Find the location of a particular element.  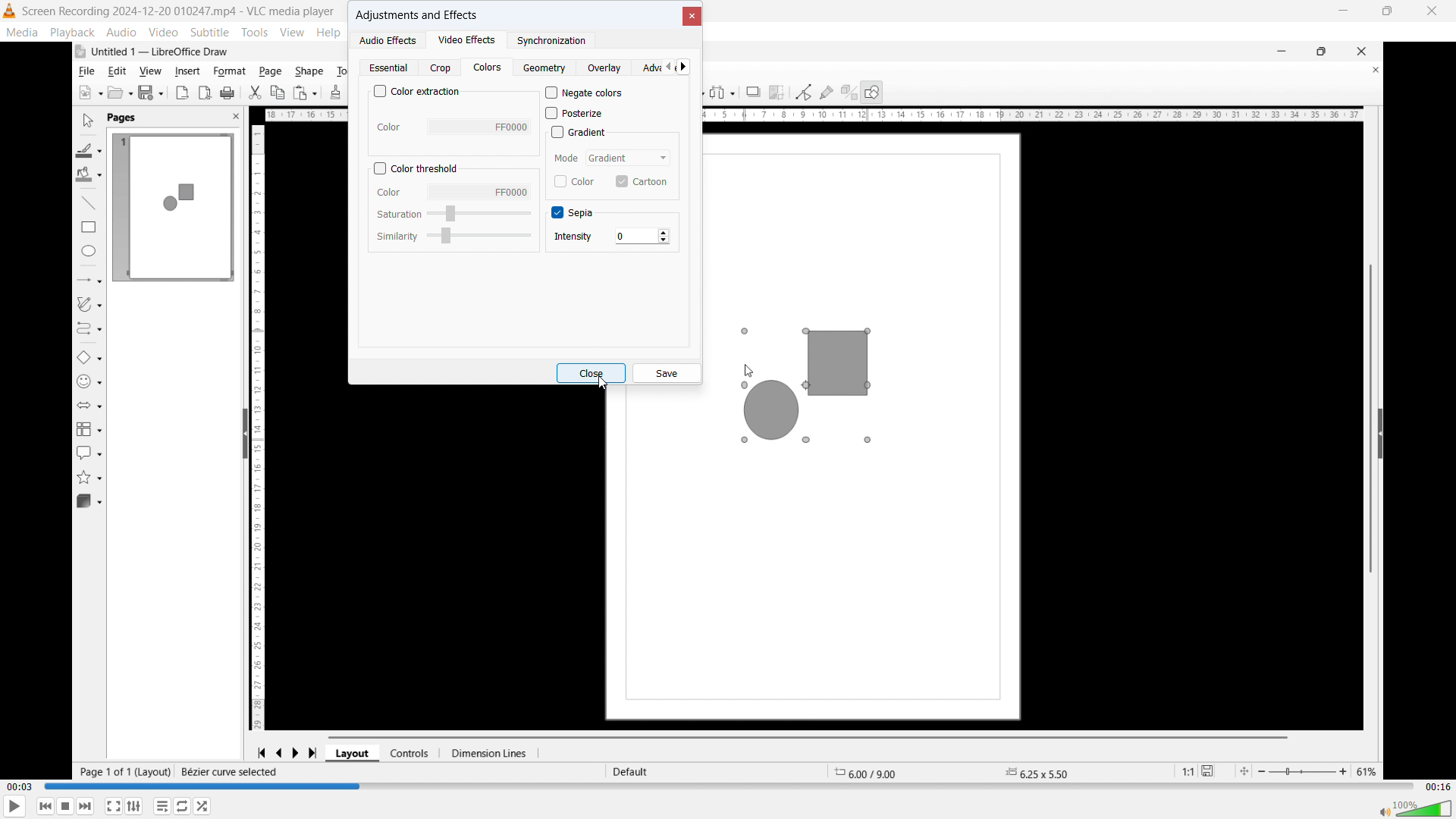

Colour  is located at coordinates (575, 181).